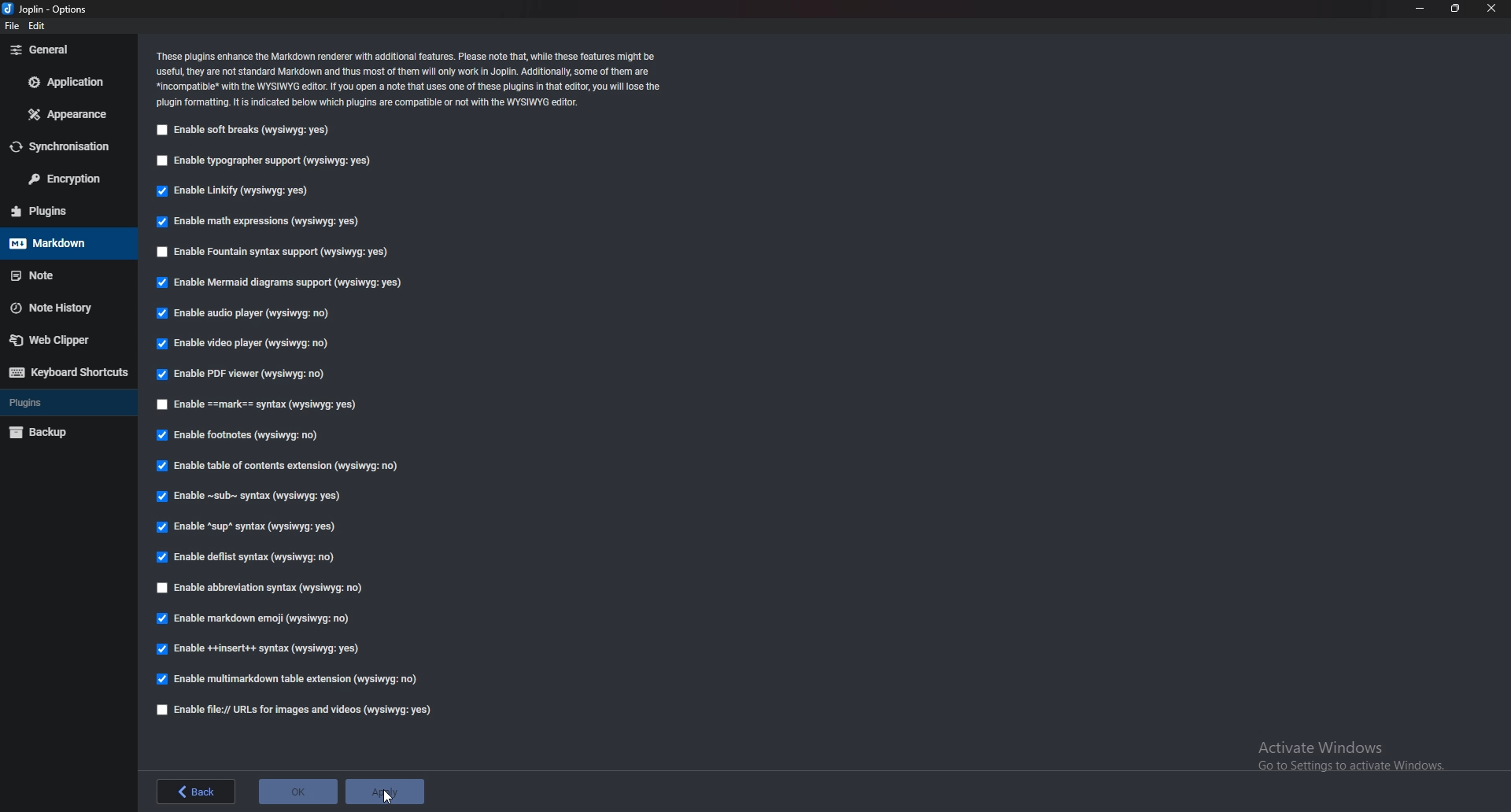  I want to click on plugins, so click(61, 210).